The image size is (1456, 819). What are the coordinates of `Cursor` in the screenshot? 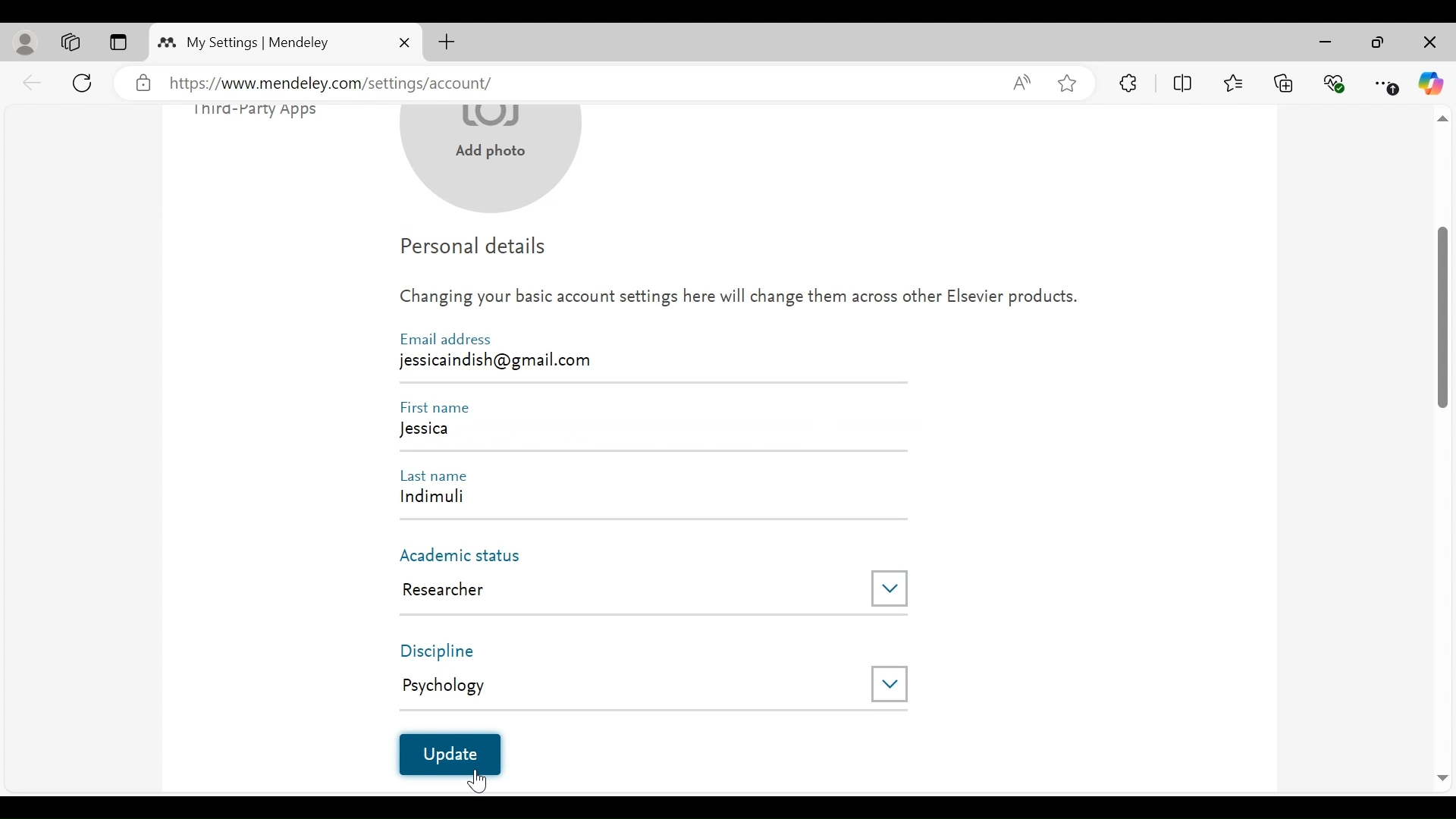 It's located at (479, 778).